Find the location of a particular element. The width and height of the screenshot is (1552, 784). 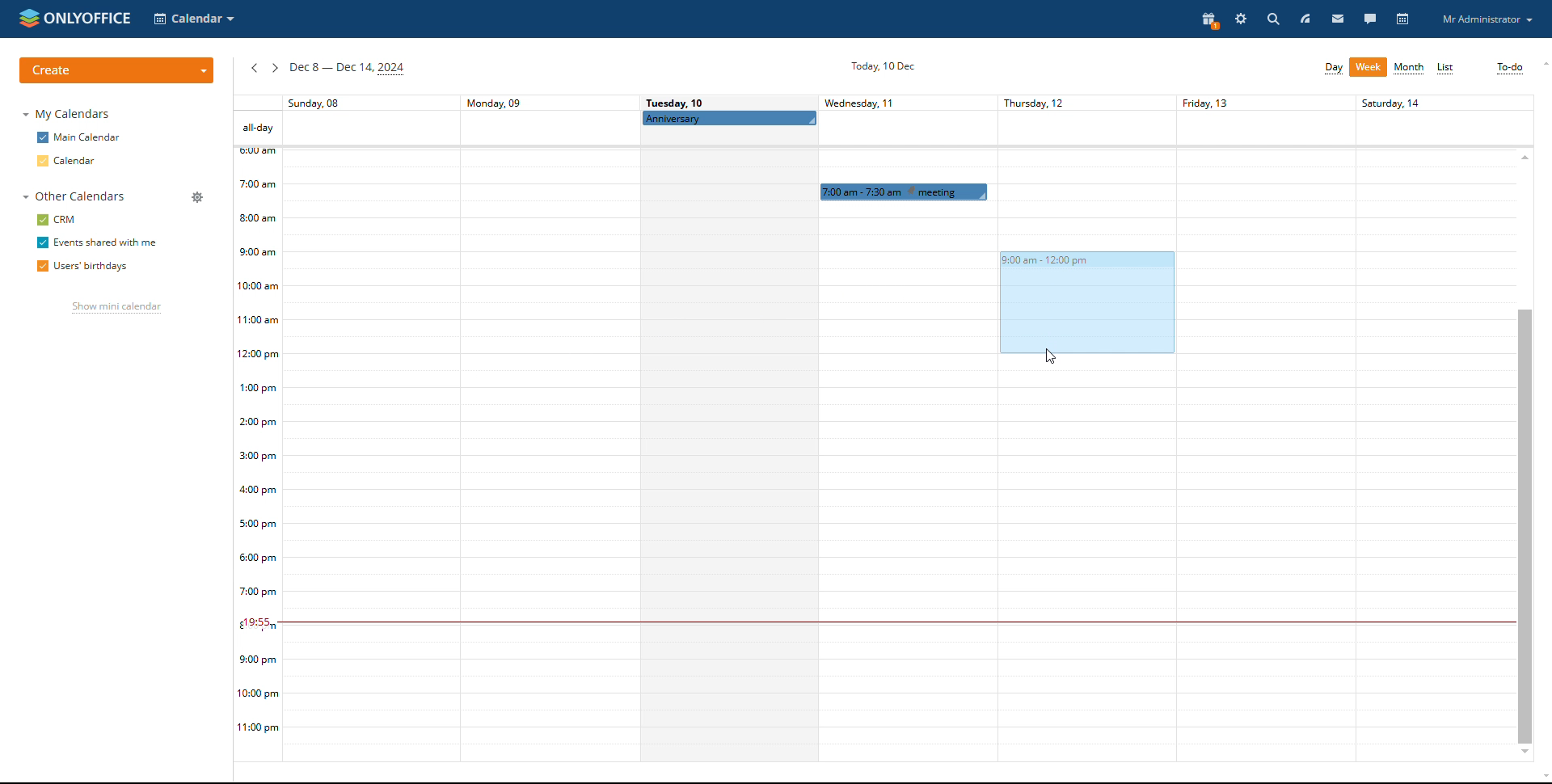

scheduled event is located at coordinates (904, 191).